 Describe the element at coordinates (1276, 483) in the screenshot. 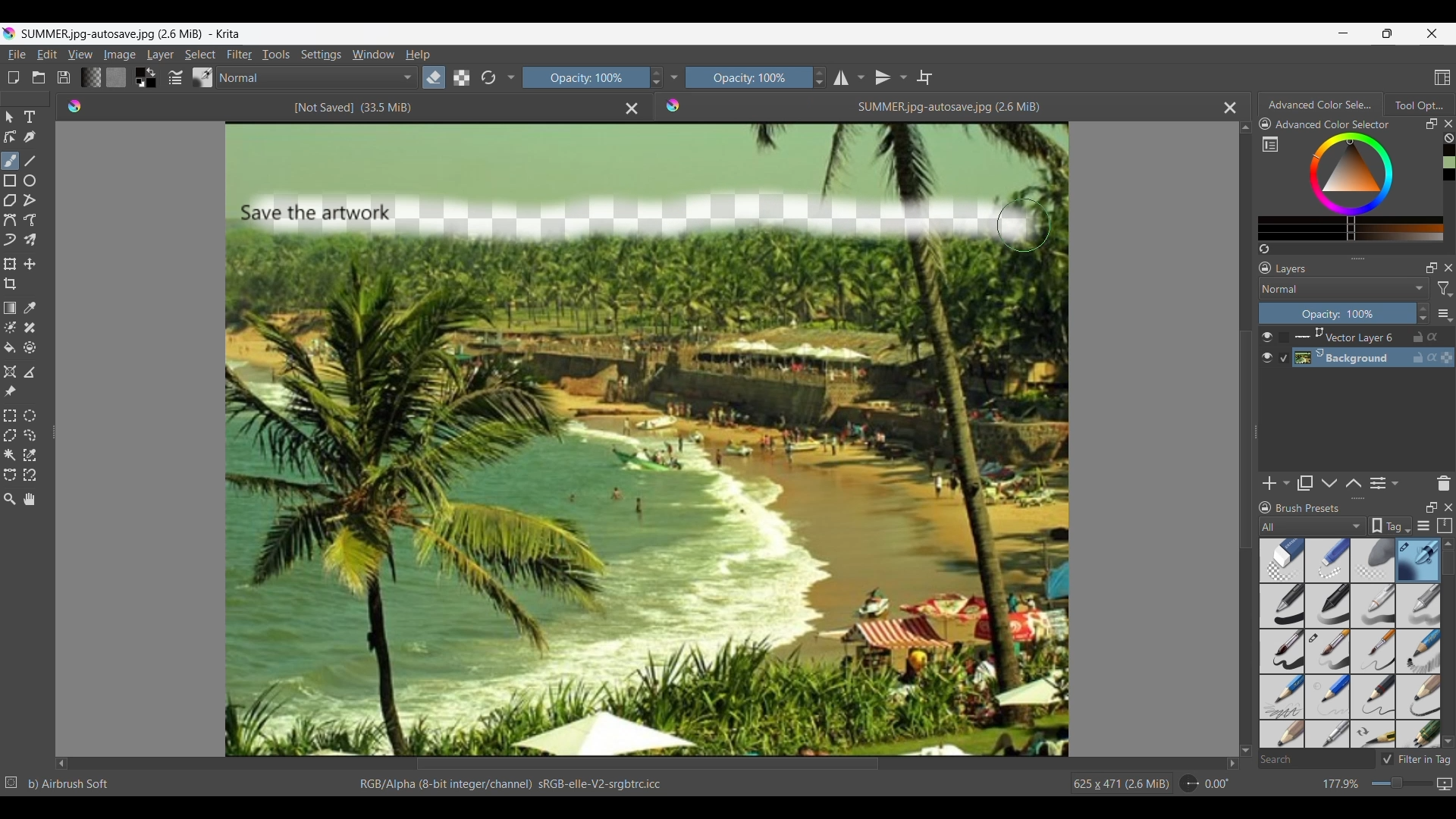

I see `Add options` at that location.